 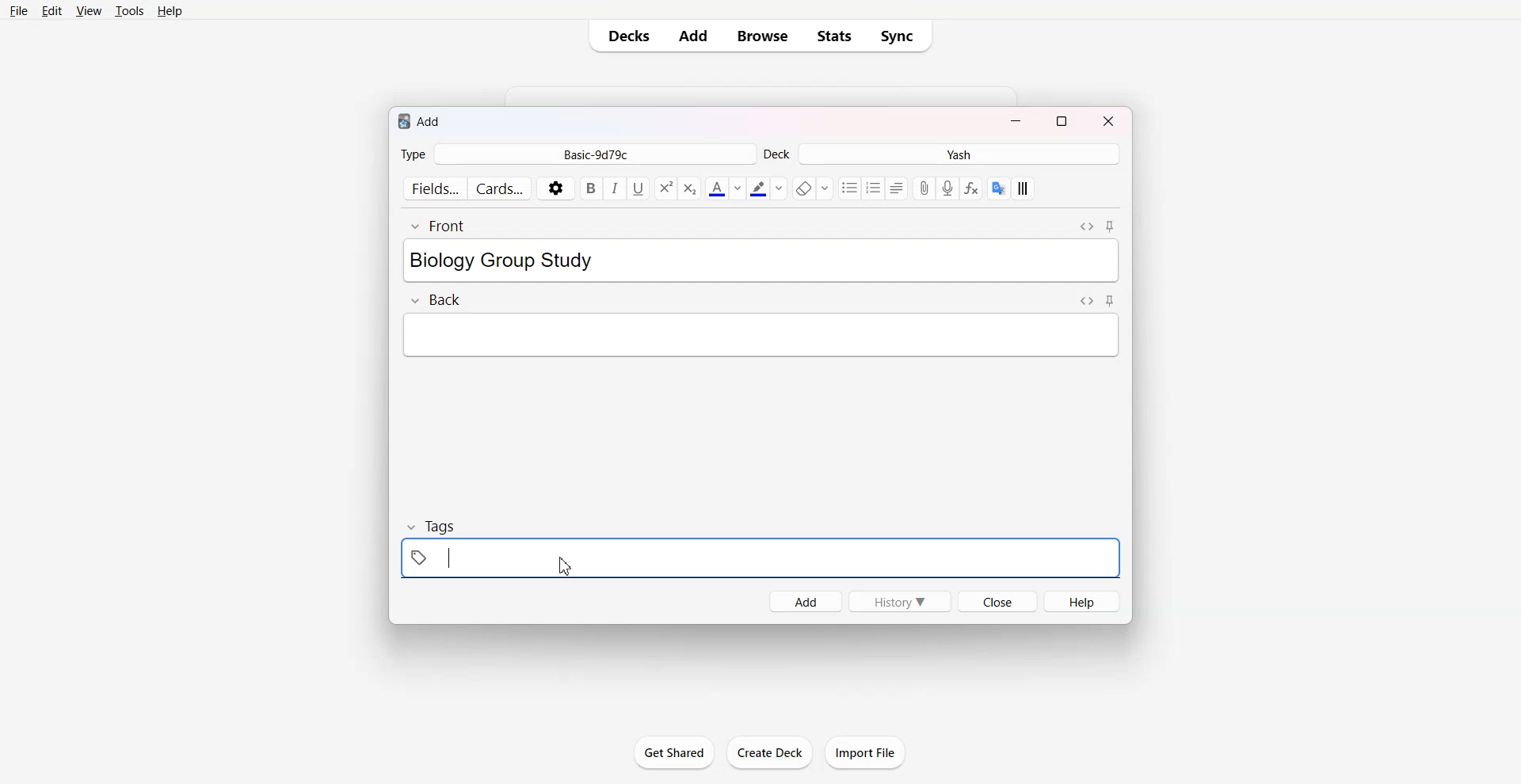 I want to click on Maximize, so click(x=1062, y=120).